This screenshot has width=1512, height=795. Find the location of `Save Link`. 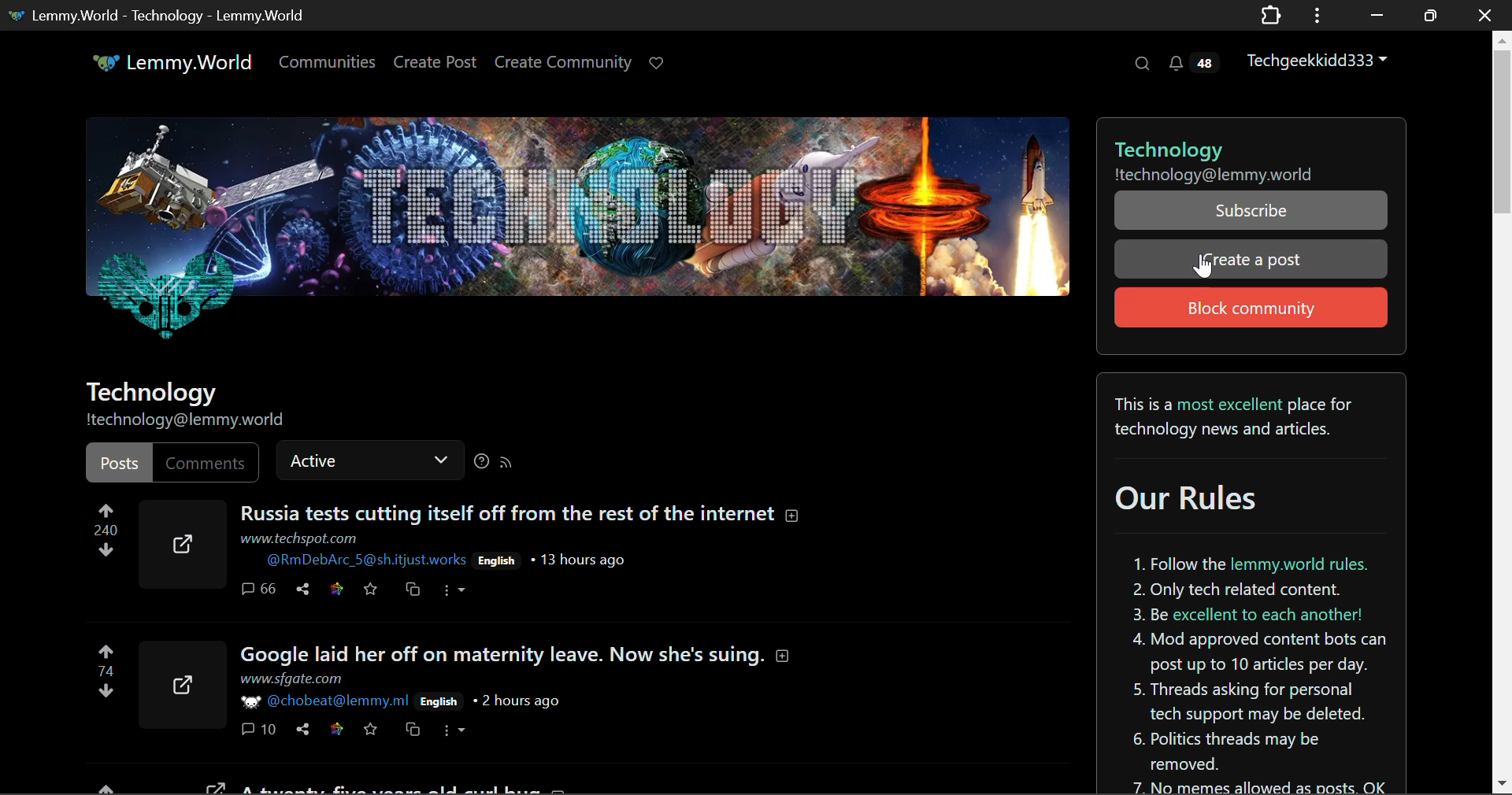

Save Link is located at coordinates (337, 728).